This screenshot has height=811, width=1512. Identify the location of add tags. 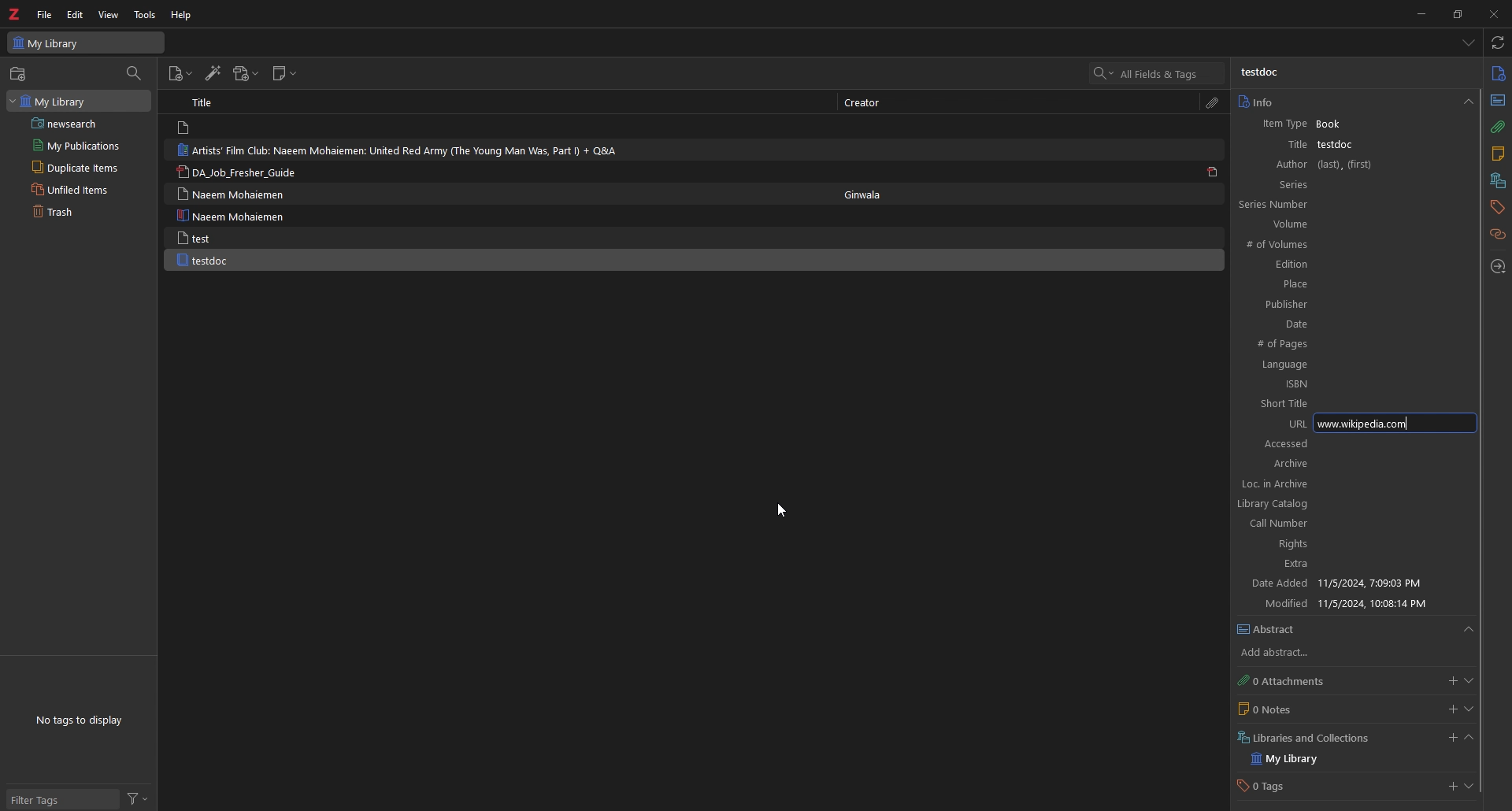
(1449, 788).